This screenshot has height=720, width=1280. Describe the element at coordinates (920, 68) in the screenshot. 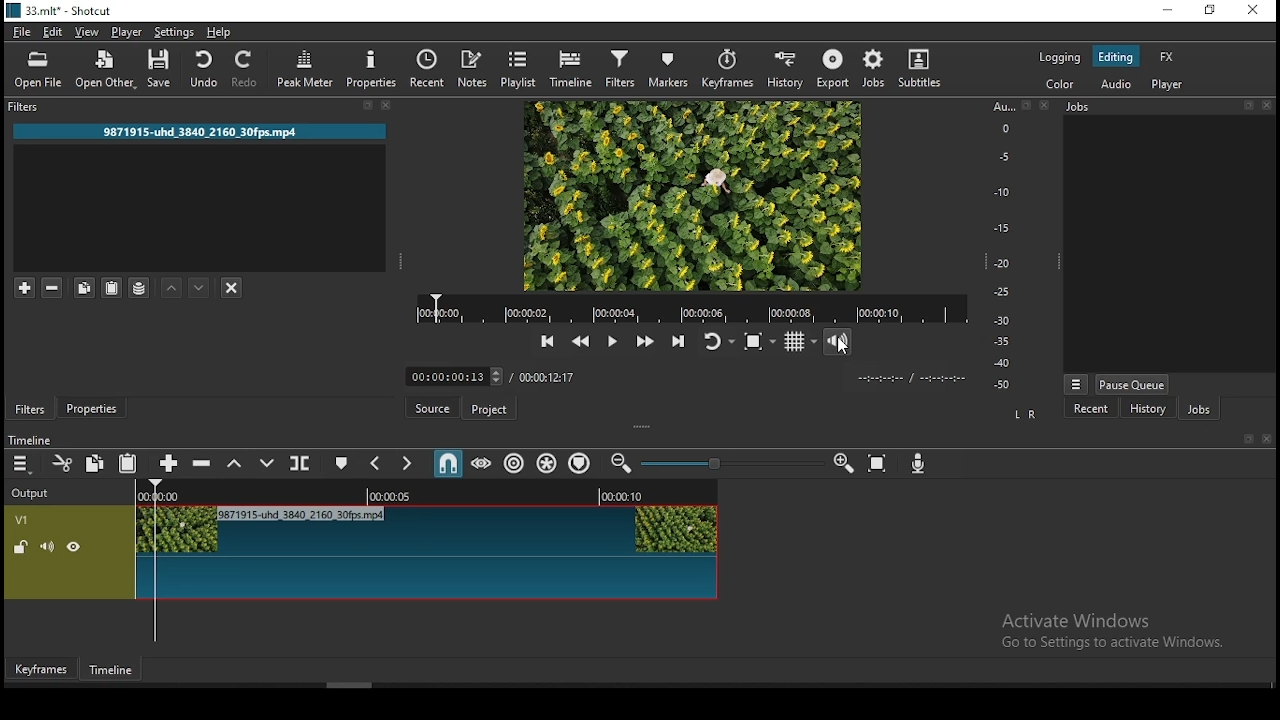

I see `subtitle` at that location.